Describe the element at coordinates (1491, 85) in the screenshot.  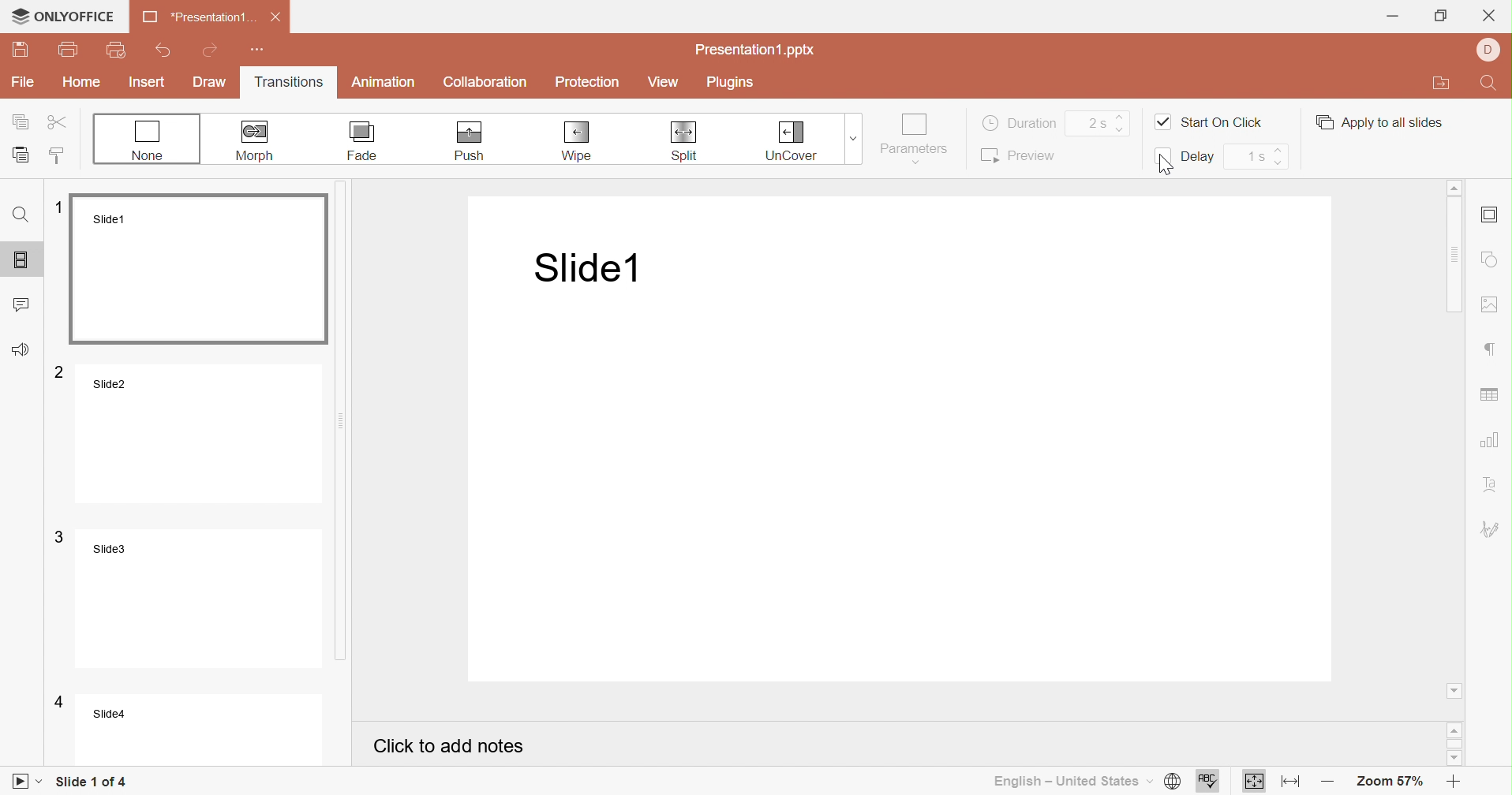
I see `Find` at that location.